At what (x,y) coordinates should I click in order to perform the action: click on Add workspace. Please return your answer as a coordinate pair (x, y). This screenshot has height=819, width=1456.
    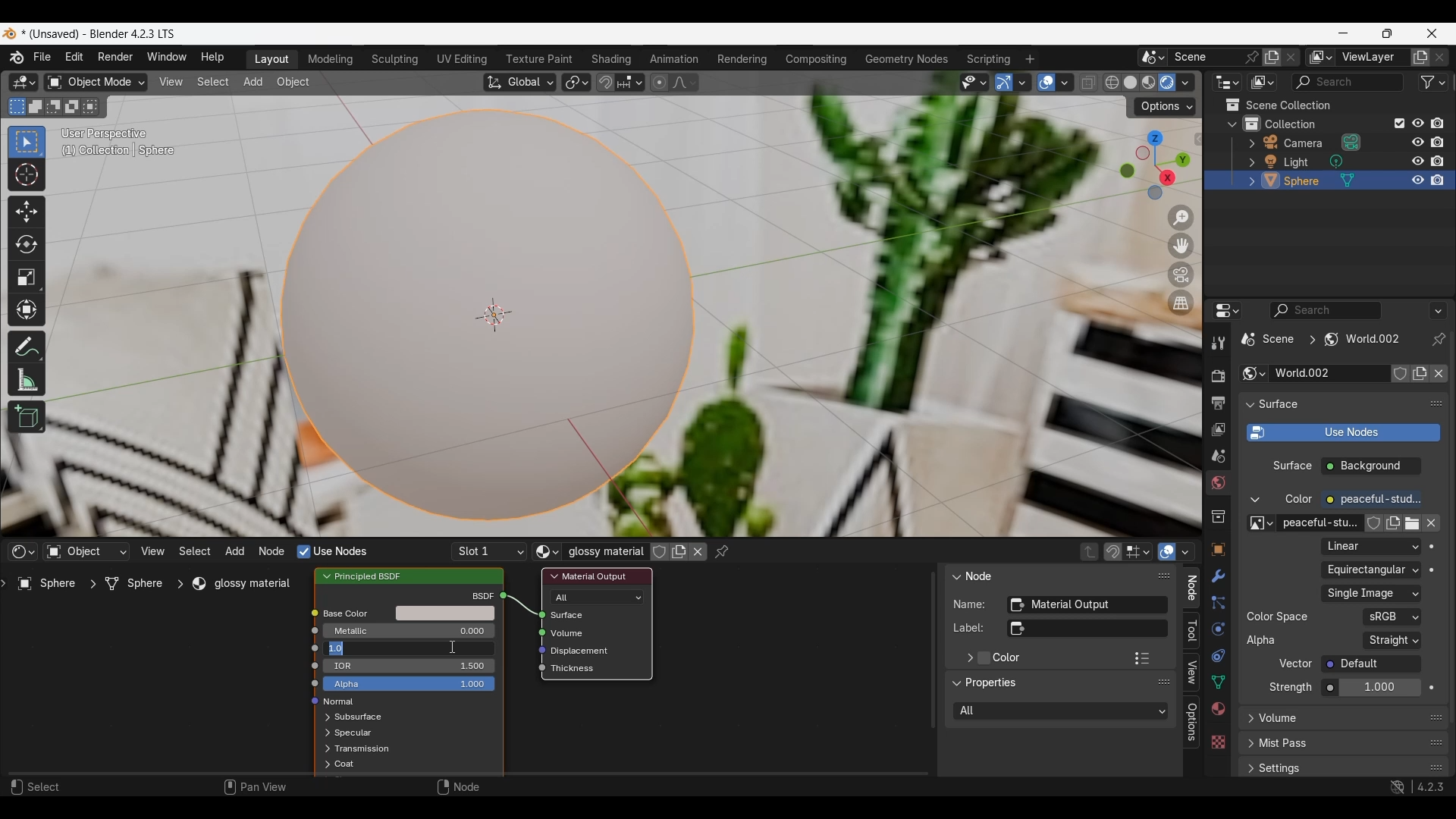
    Looking at the image, I should click on (1031, 58).